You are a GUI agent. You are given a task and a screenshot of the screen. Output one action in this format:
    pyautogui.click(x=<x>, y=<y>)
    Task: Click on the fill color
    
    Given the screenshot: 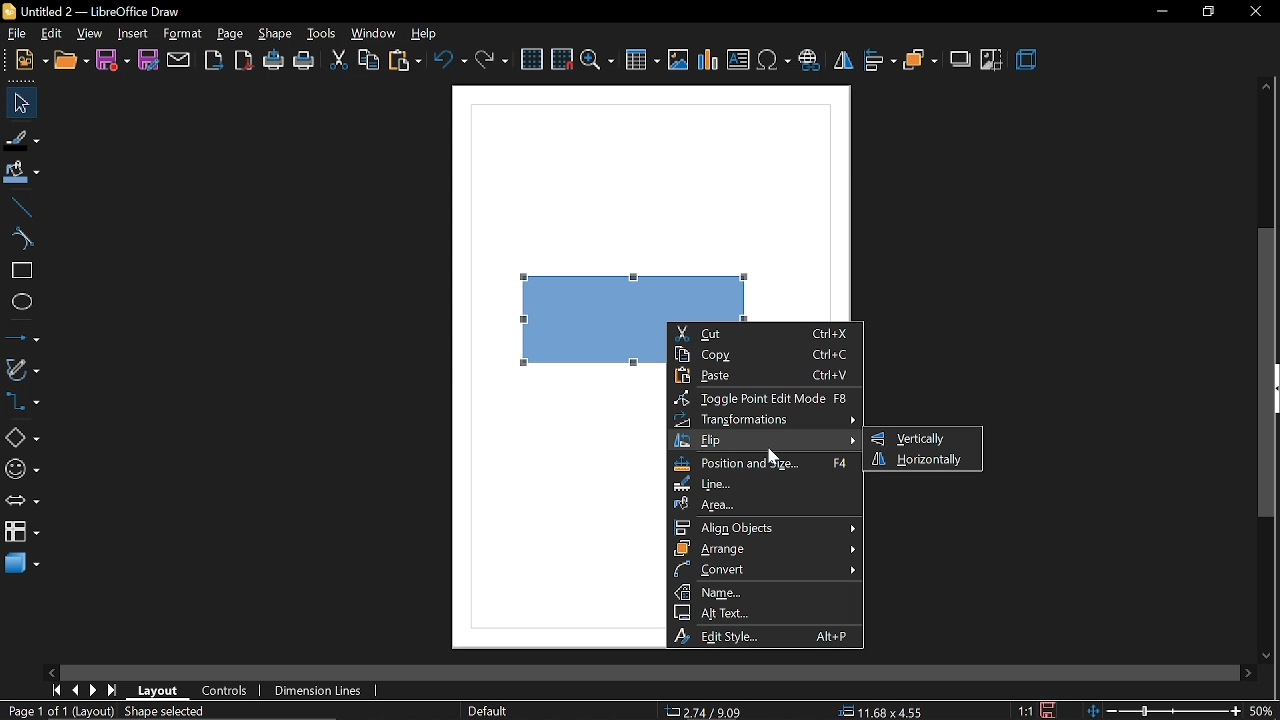 What is the action you would take?
    pyautogui.click(x=22, y=174)
    